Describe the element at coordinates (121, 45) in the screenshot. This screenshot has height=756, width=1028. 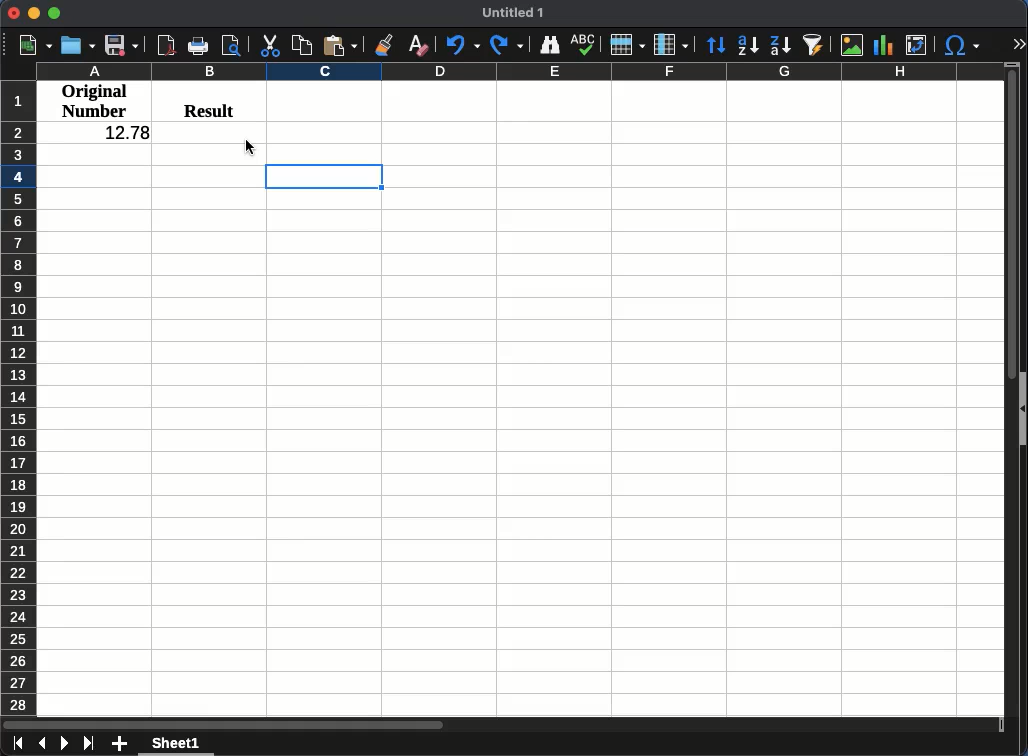
I see `save` at that location.